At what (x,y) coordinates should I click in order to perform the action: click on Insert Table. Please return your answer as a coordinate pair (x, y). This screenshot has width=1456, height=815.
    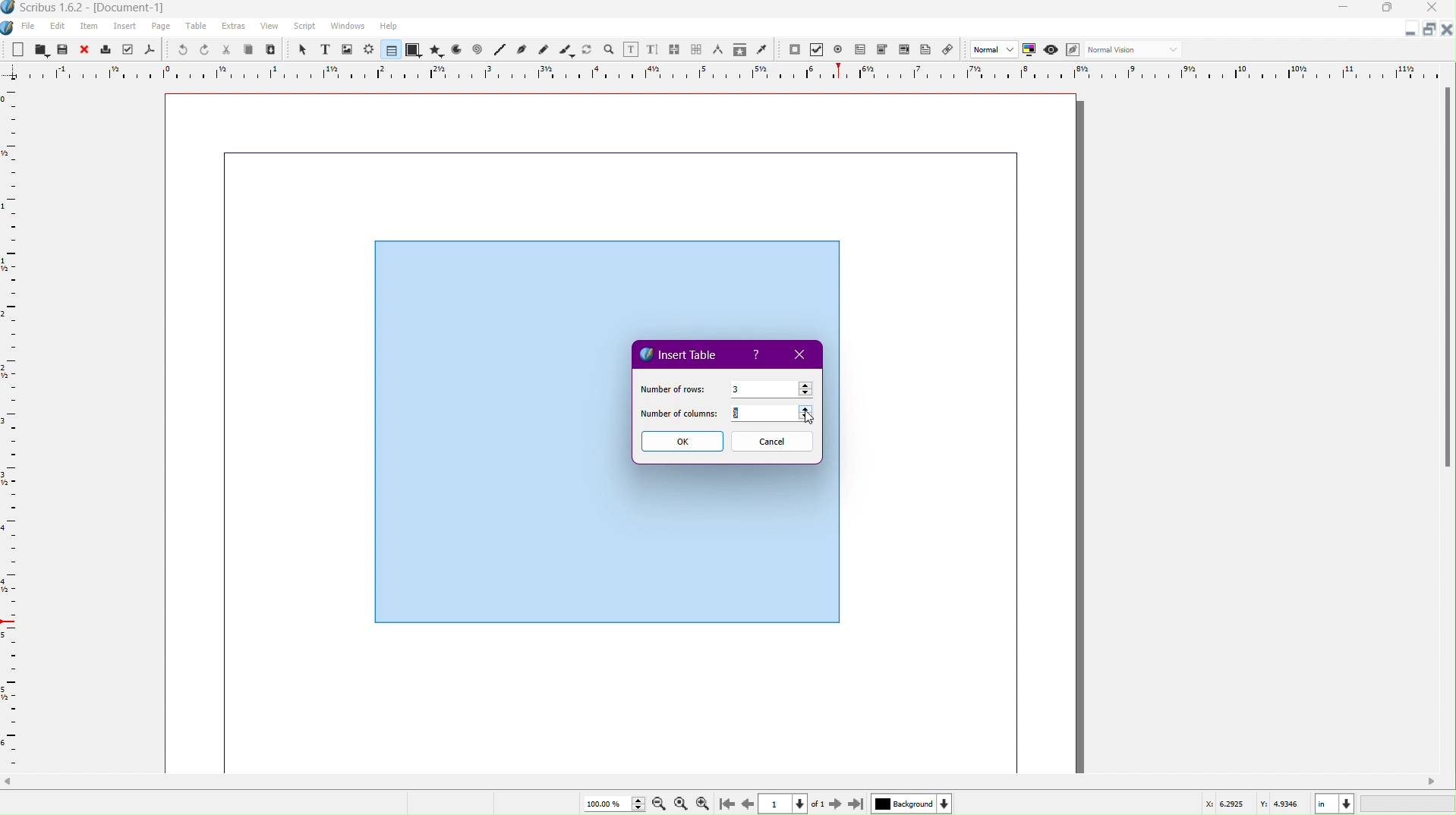
    Looking at the image, I should click on (680, 353).